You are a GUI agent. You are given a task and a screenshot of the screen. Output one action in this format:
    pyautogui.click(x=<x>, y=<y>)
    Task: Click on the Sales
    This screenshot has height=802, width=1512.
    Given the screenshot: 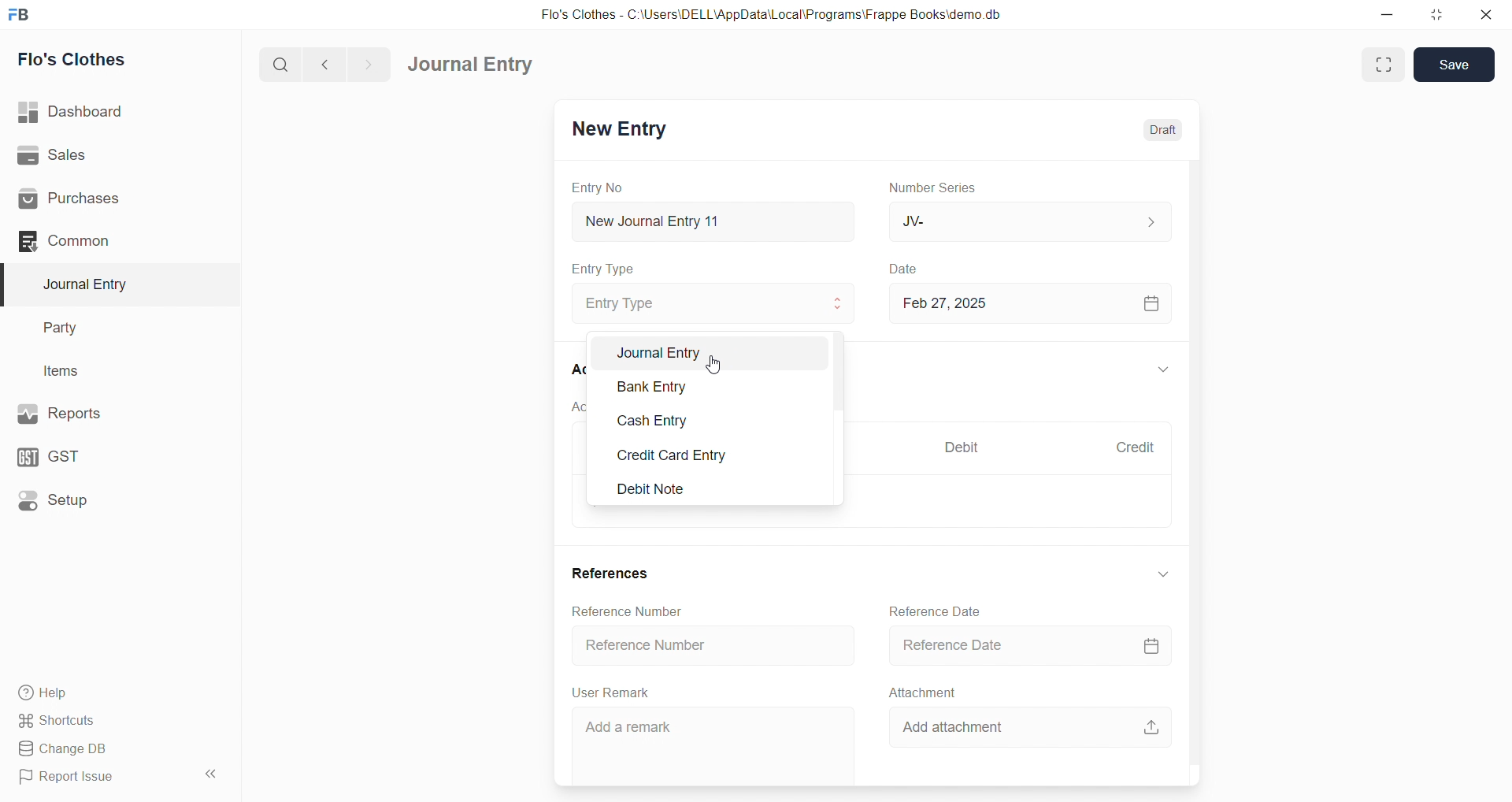 What is the action you would take?
    pyautogui.click(x=94, y=154)
    